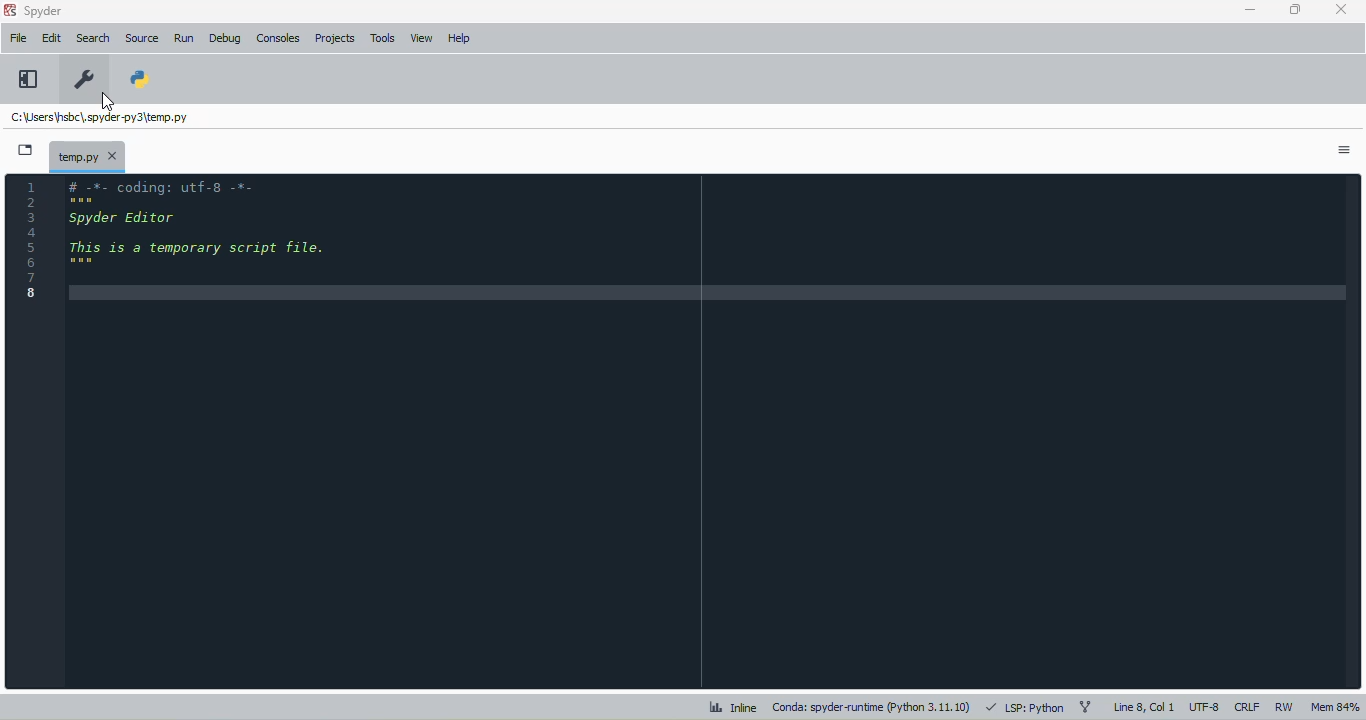 This screenshot has width=1366, height=720. I want to click on source, so click(141, 39).